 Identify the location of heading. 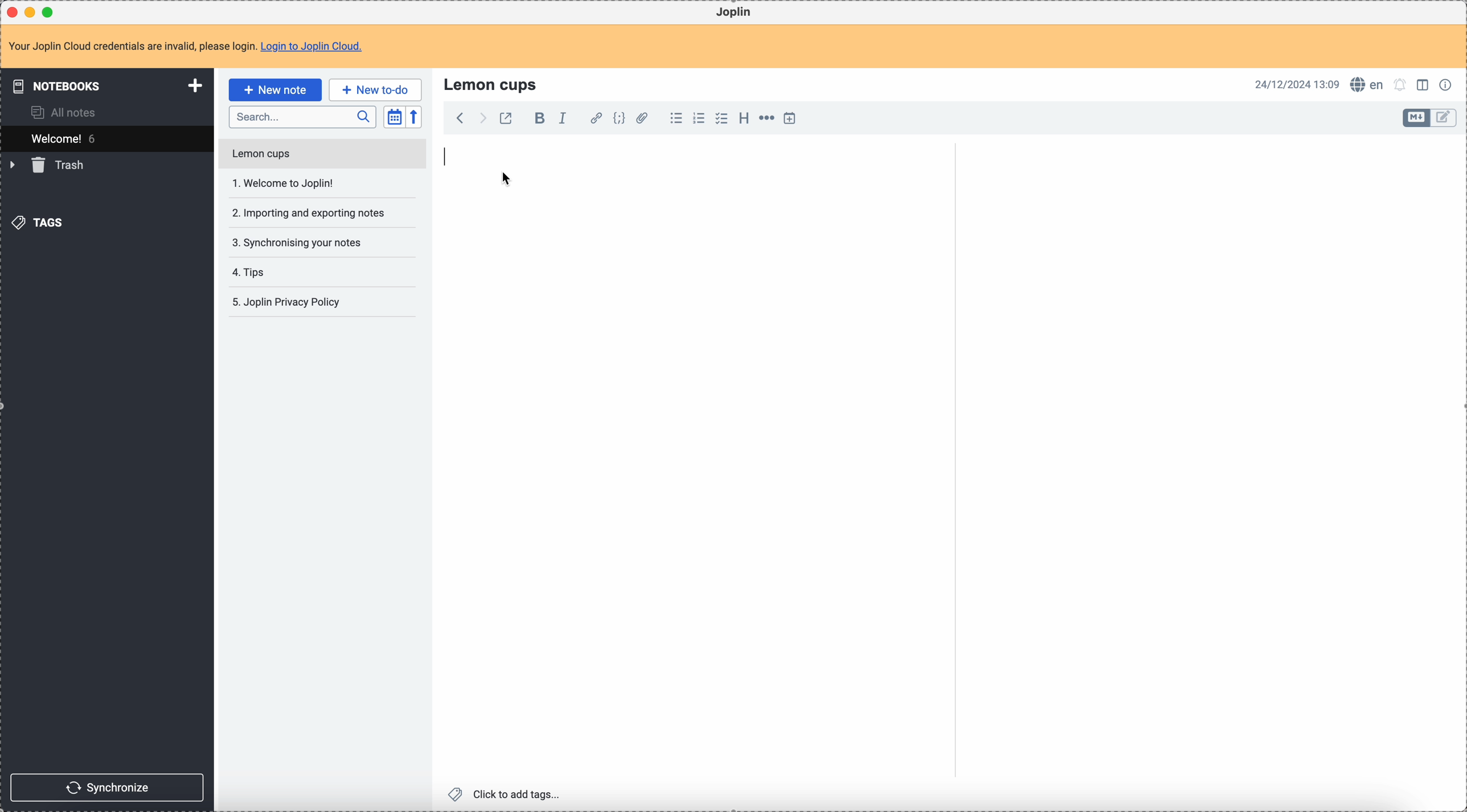
(744, 117).